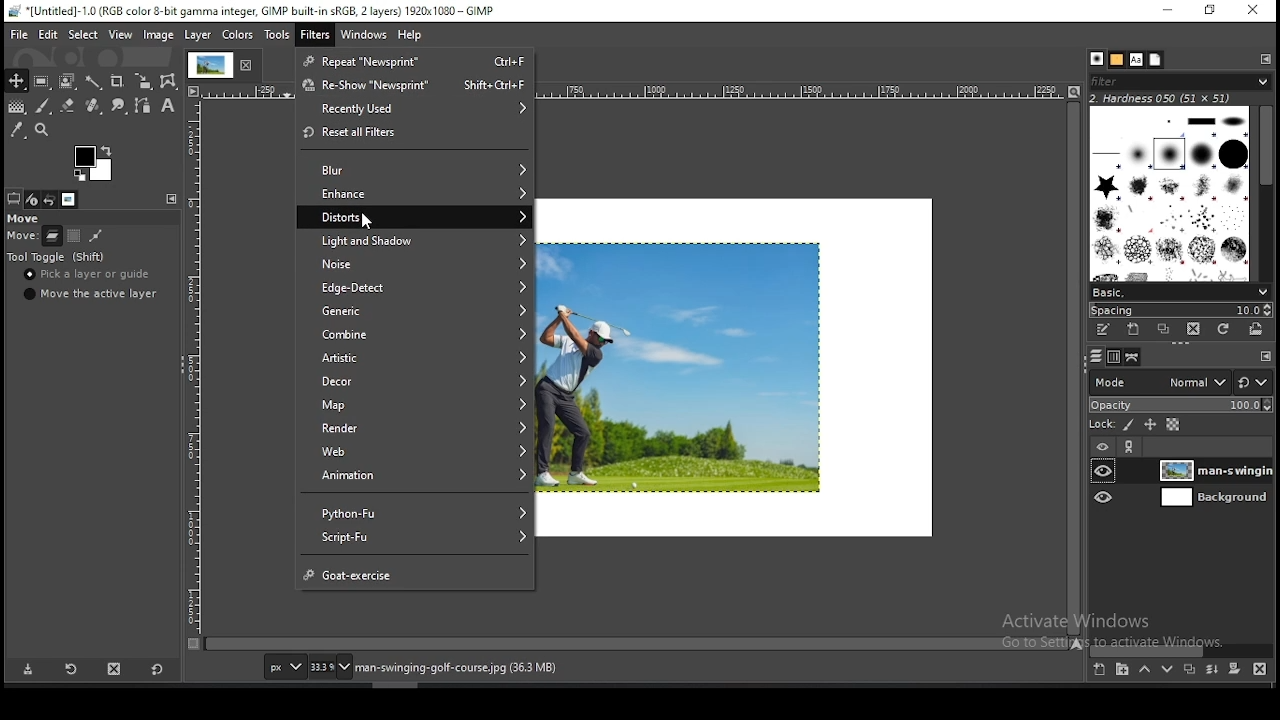 The image size is (1280, 720). What do you see at coordinates (23, 234) in the screenshot?
I see `scale (horizontal)` at bounding box center [23, 234].